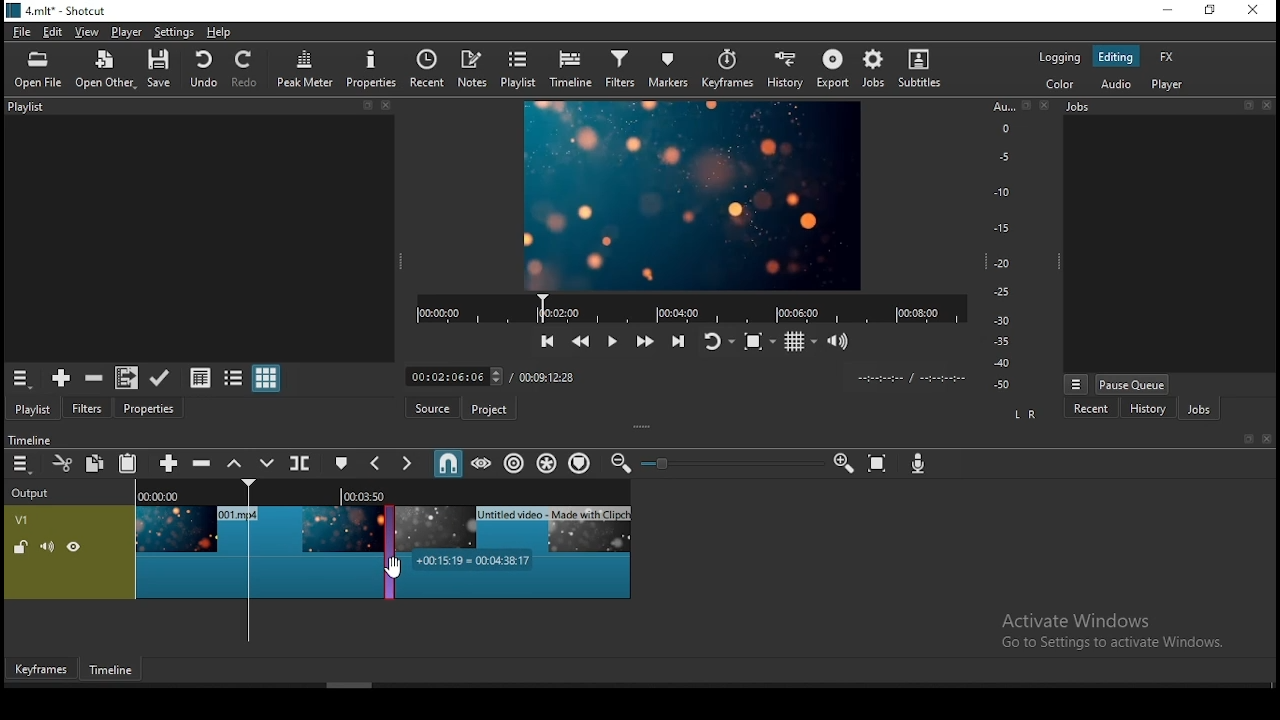  Describe the element at coordinates (843, 461) in the screenshot. I see `zoom timeline in` at that location.